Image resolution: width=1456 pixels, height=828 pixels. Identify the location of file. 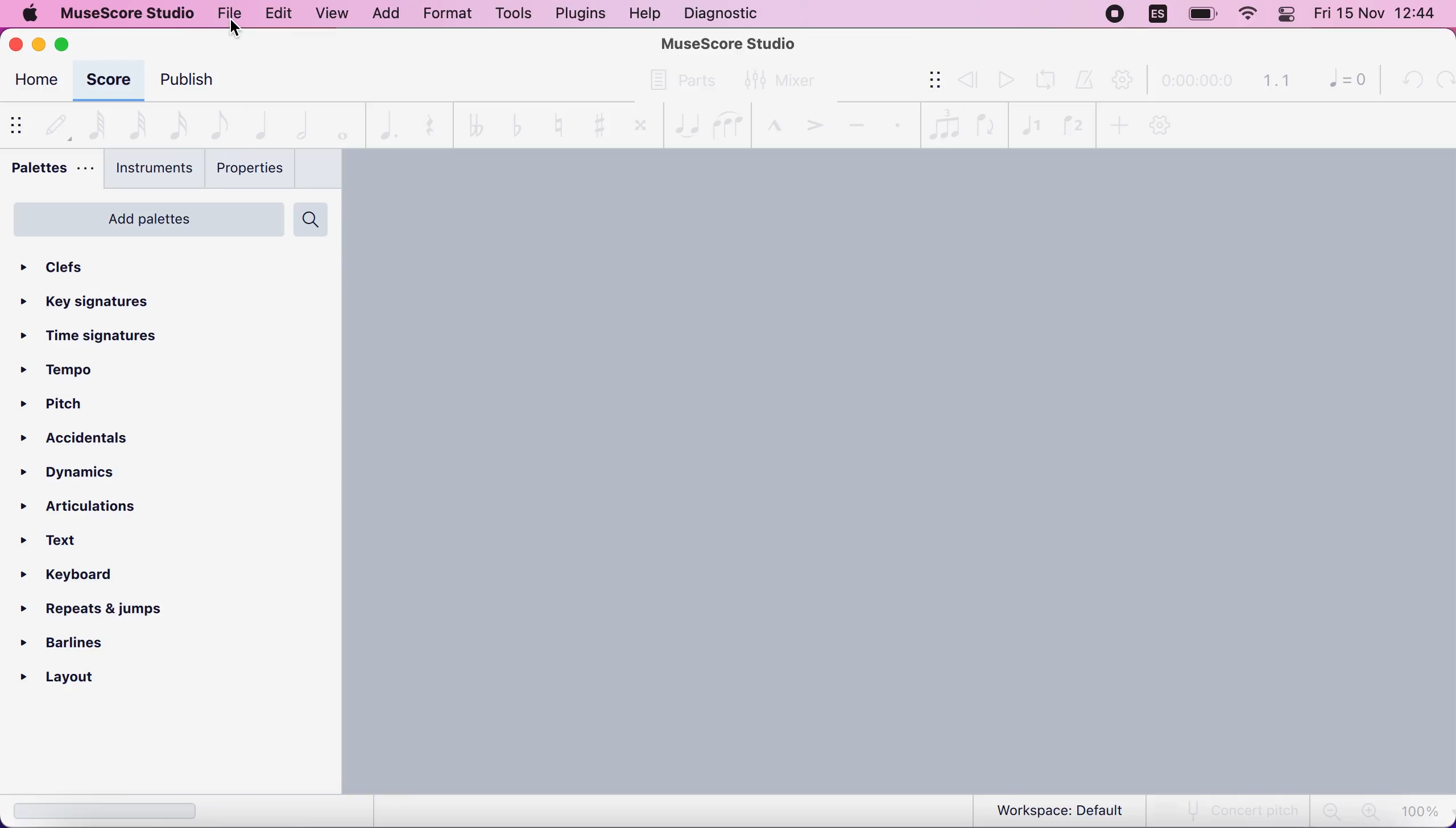
(230, 15).